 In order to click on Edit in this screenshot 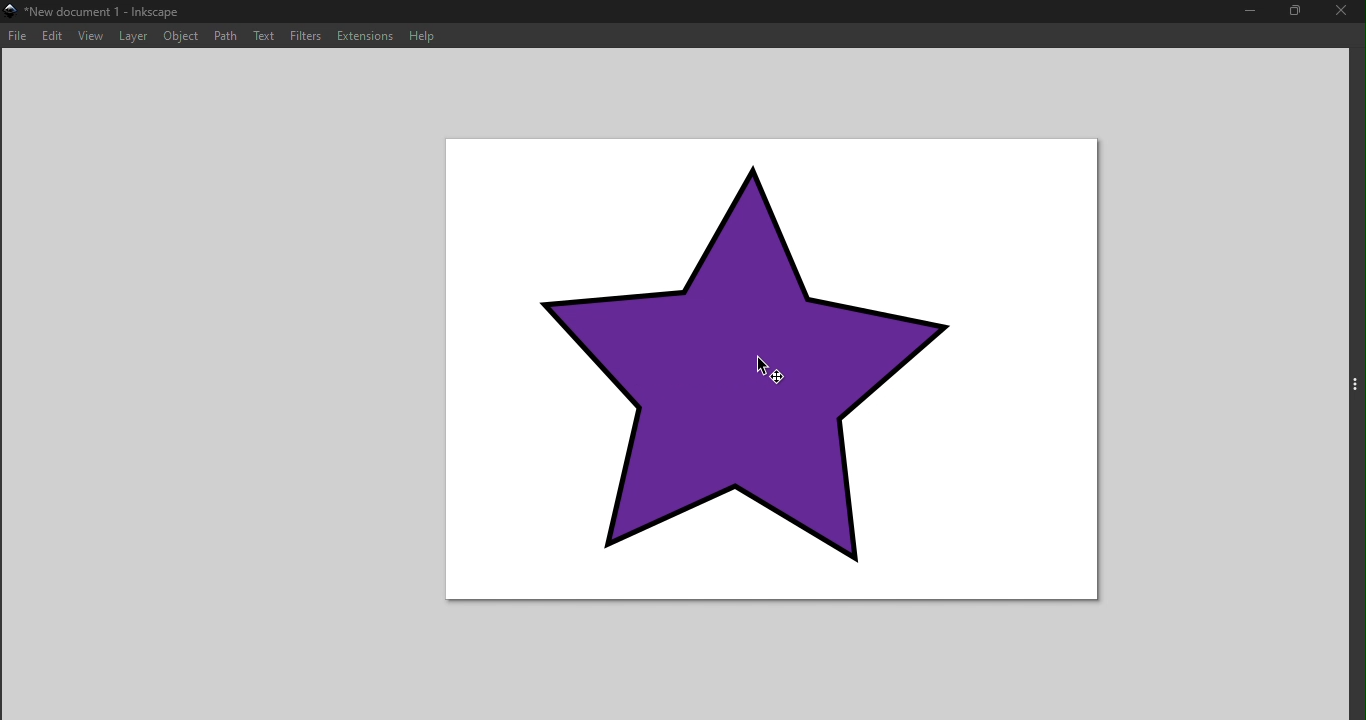, I will do `click(52, 35)`.